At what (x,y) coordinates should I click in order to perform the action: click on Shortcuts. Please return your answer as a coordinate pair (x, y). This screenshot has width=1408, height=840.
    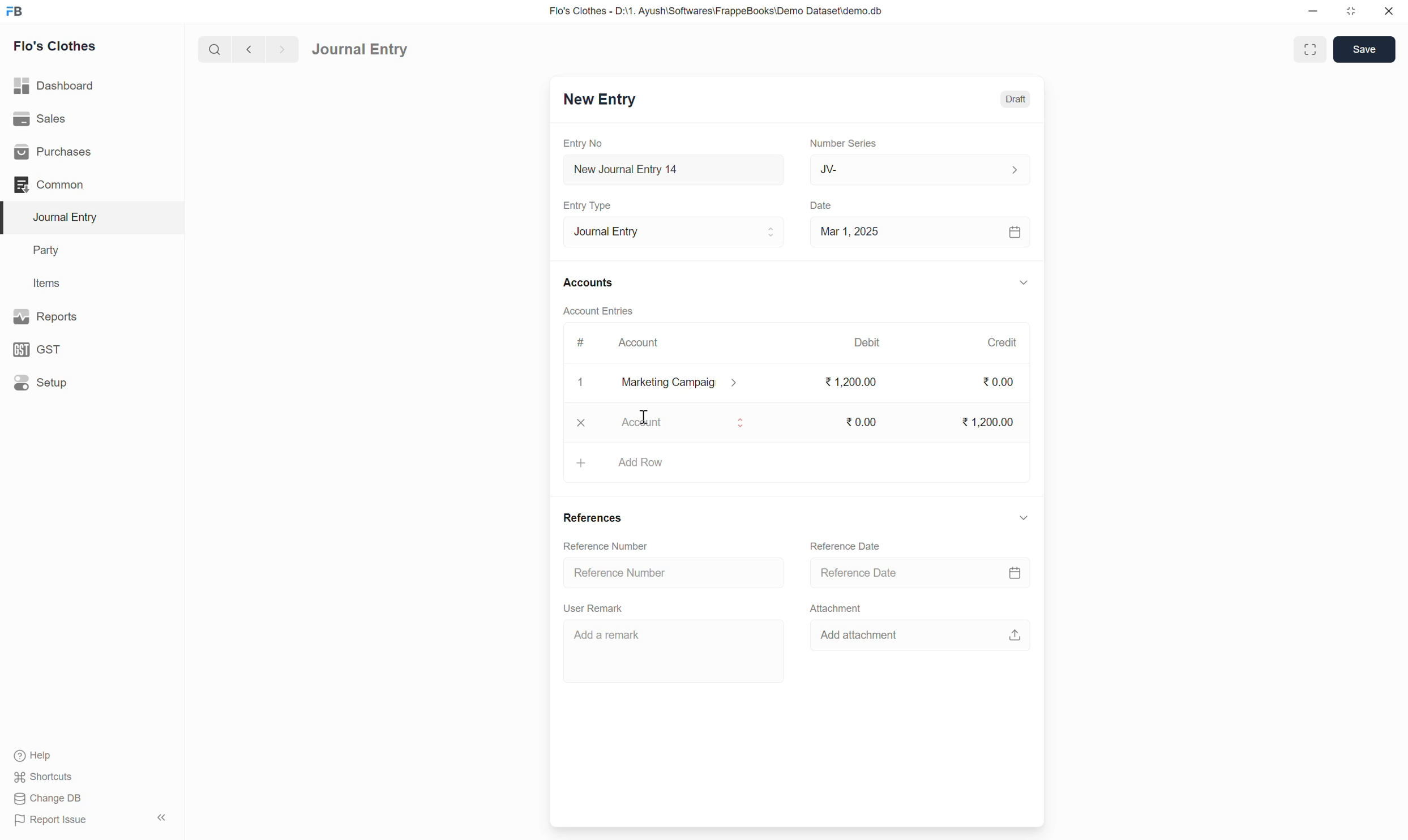
    Looking at the image, I should click on (48, 777).